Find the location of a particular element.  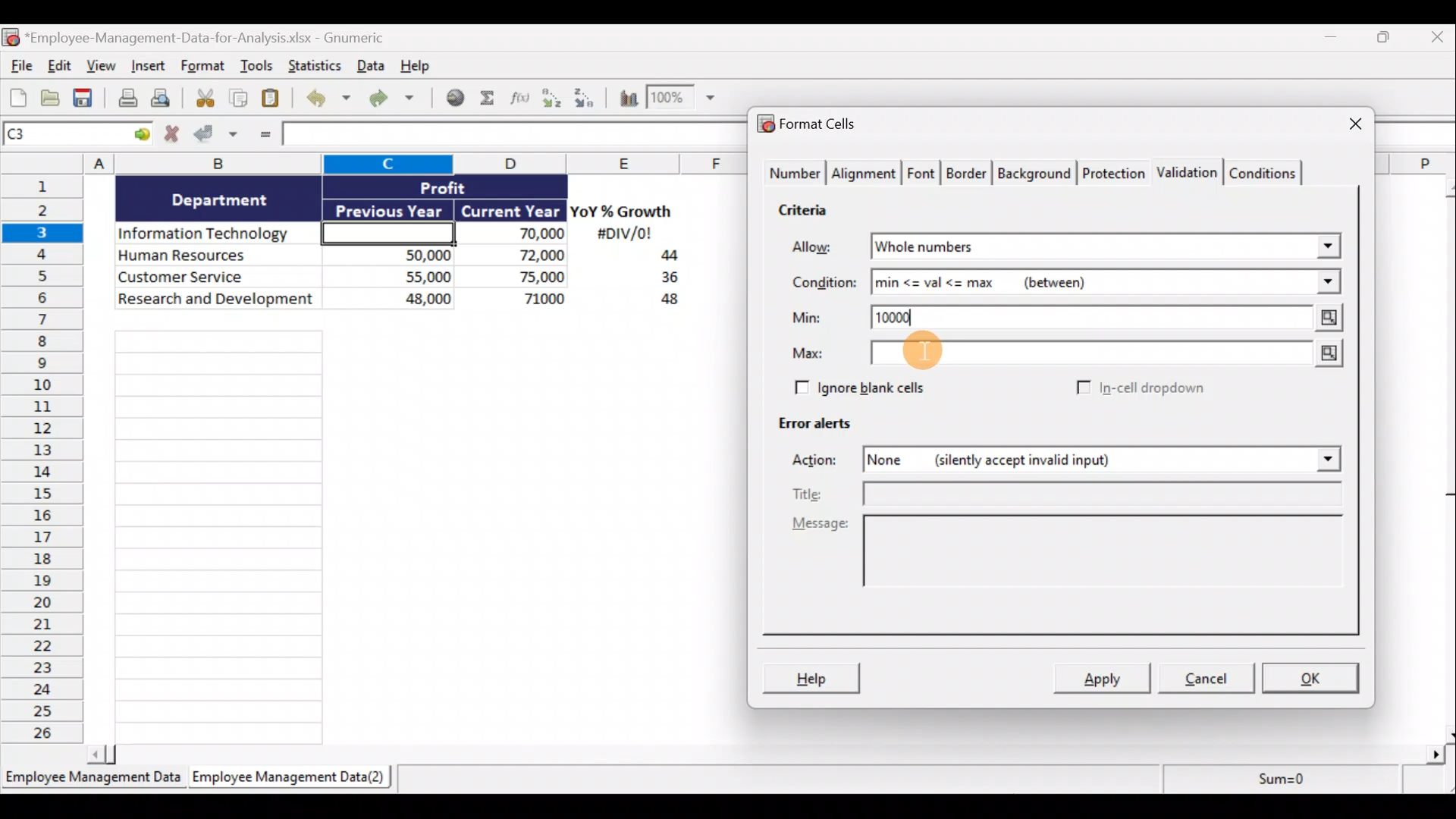

Min: is located at coordinates (807, 320).